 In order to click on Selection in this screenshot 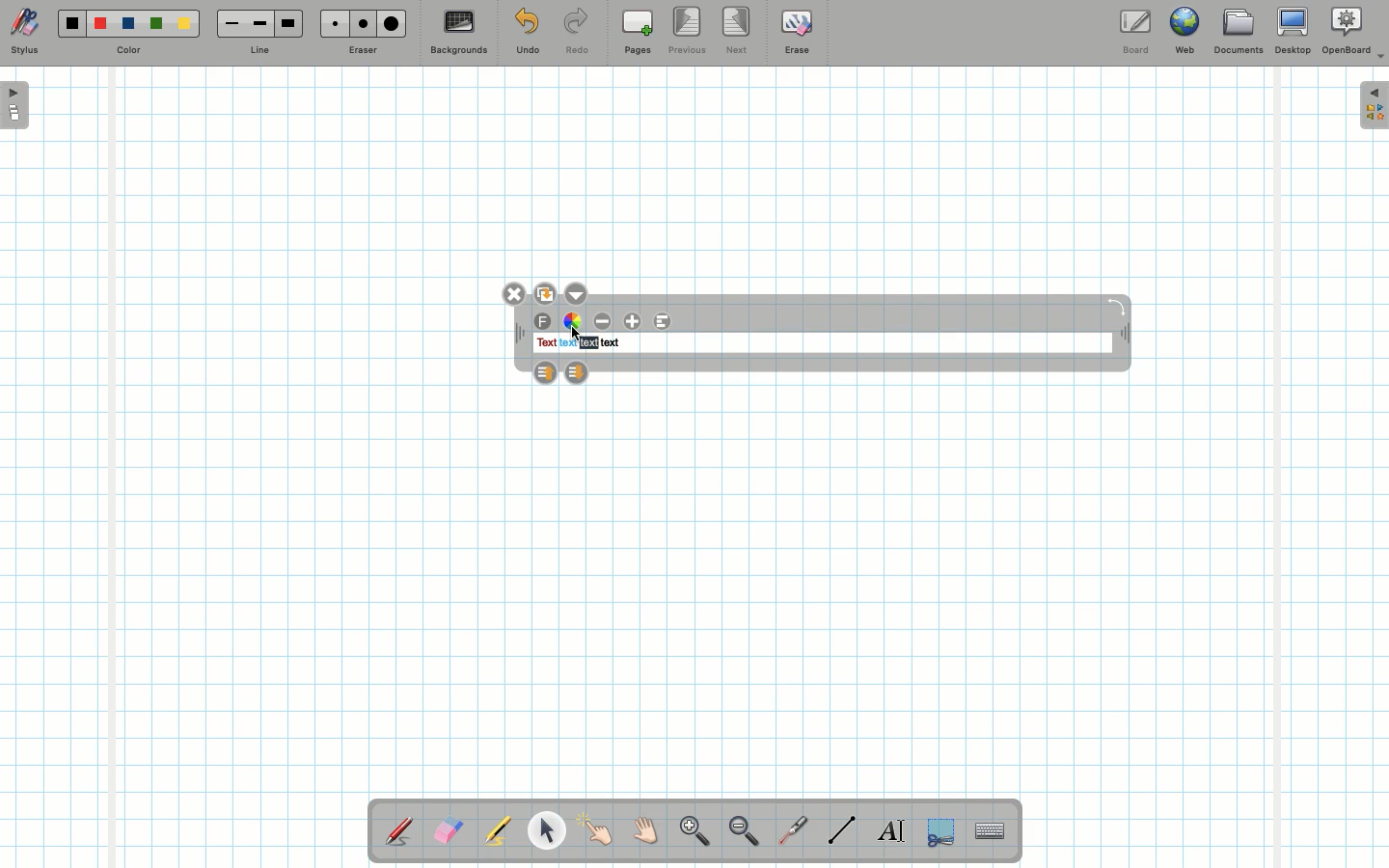, I will do `click(939, 829)`.